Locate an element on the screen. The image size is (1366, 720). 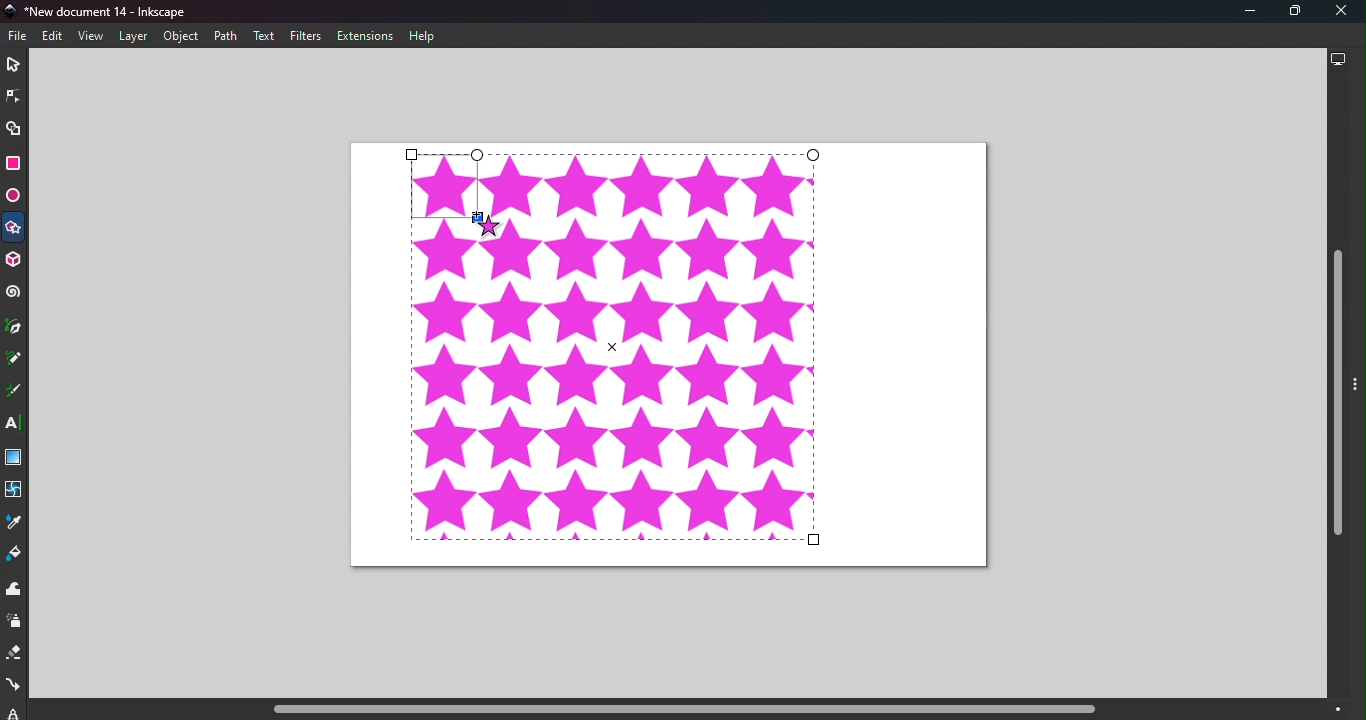
Document name is located at coordinates (104, 11).